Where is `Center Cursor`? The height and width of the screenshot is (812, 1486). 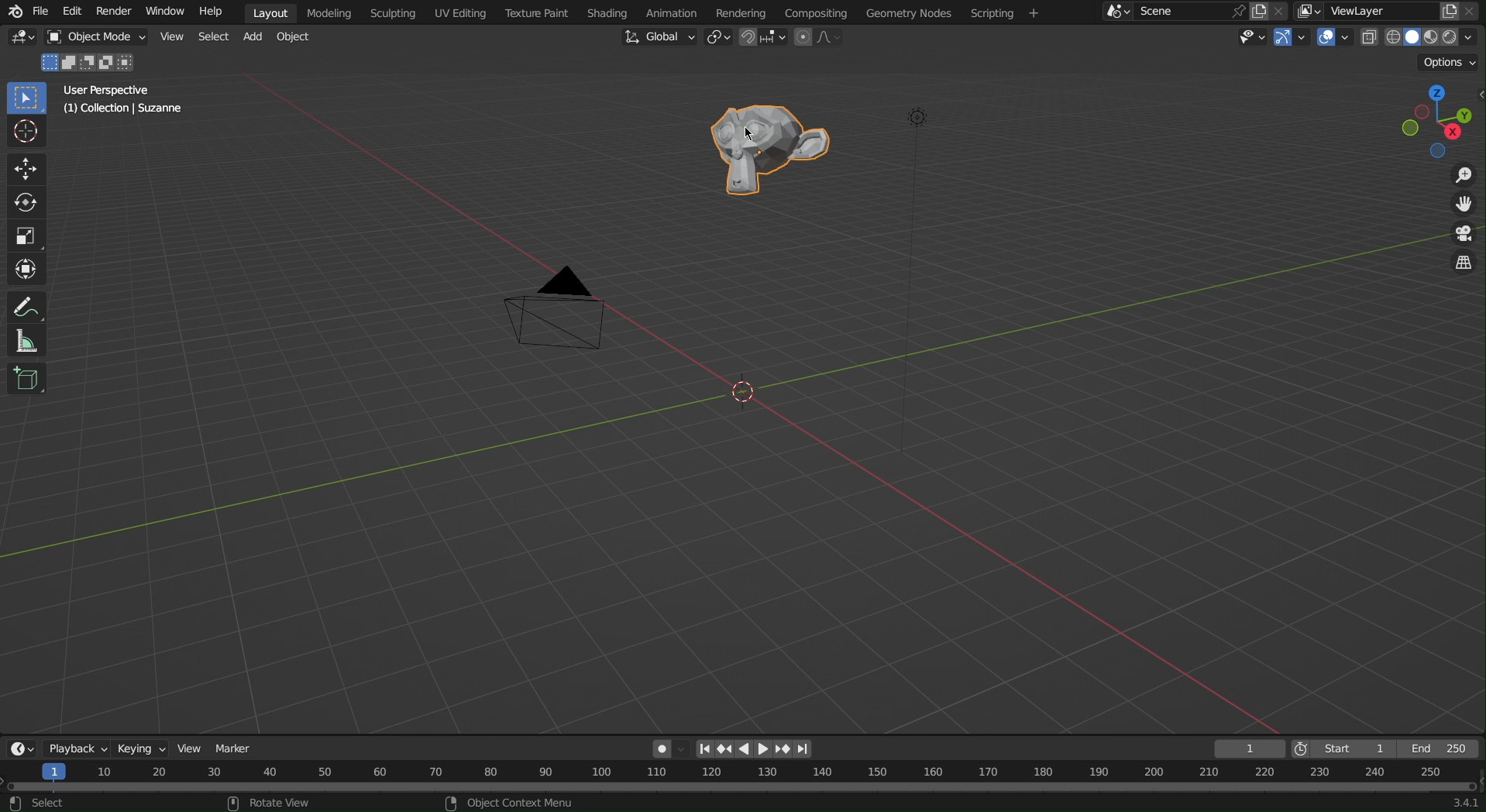 Center Cursor is located at coordinates (745, 396).